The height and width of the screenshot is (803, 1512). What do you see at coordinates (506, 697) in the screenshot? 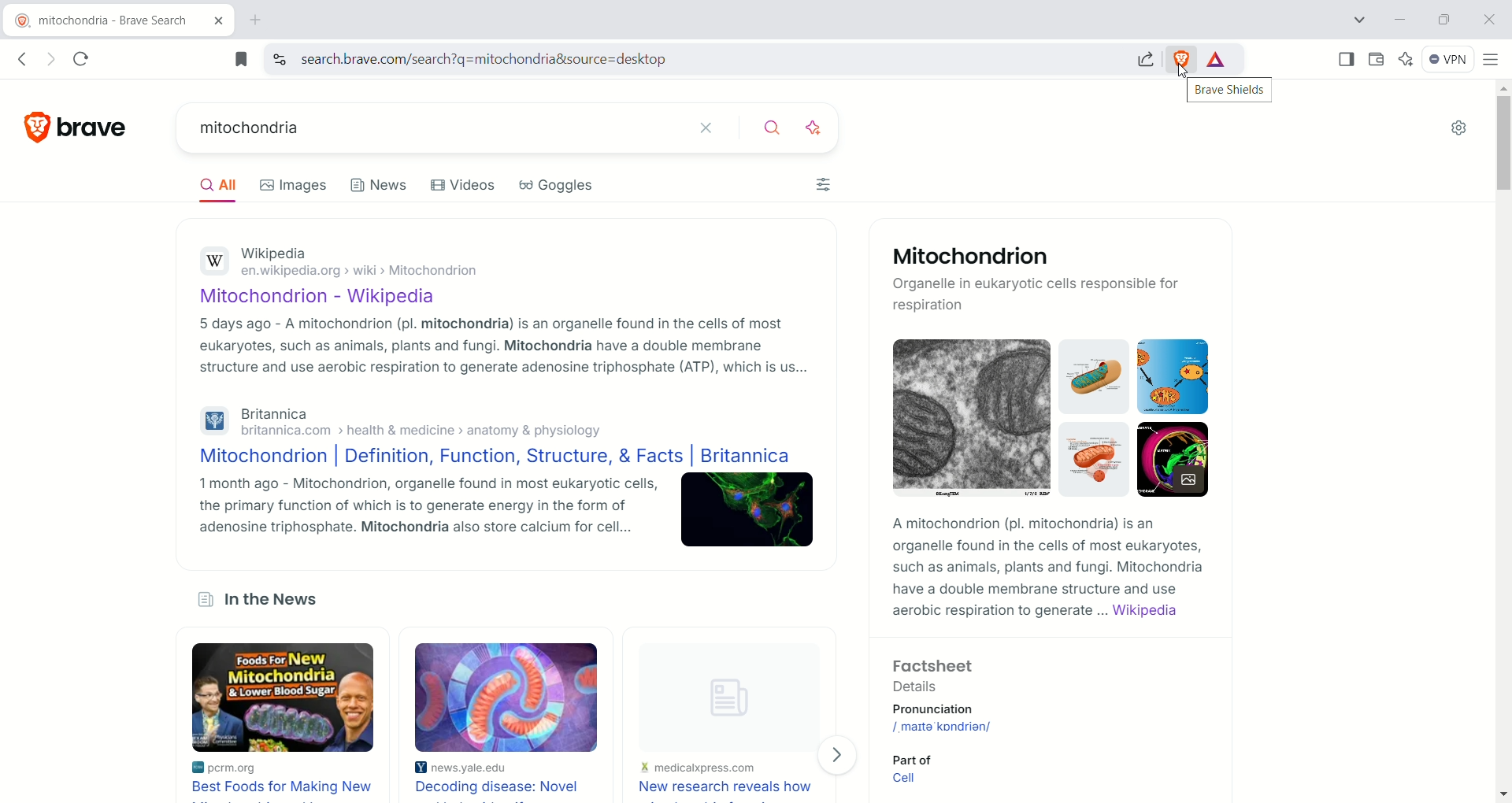
I see `Image` at bounding box center [506, 697].